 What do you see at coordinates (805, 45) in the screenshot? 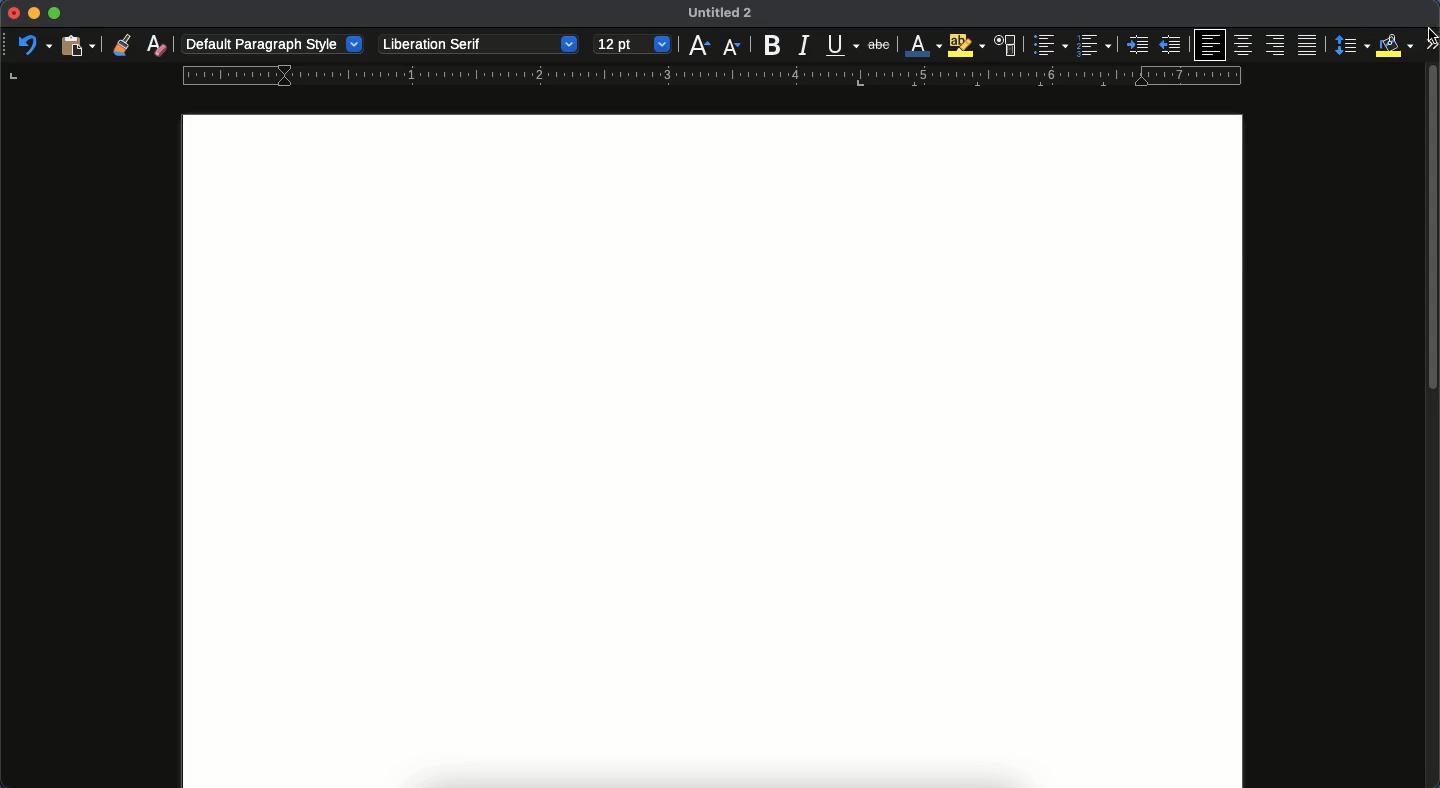
I see `italics` at bounding box center [805, 45].